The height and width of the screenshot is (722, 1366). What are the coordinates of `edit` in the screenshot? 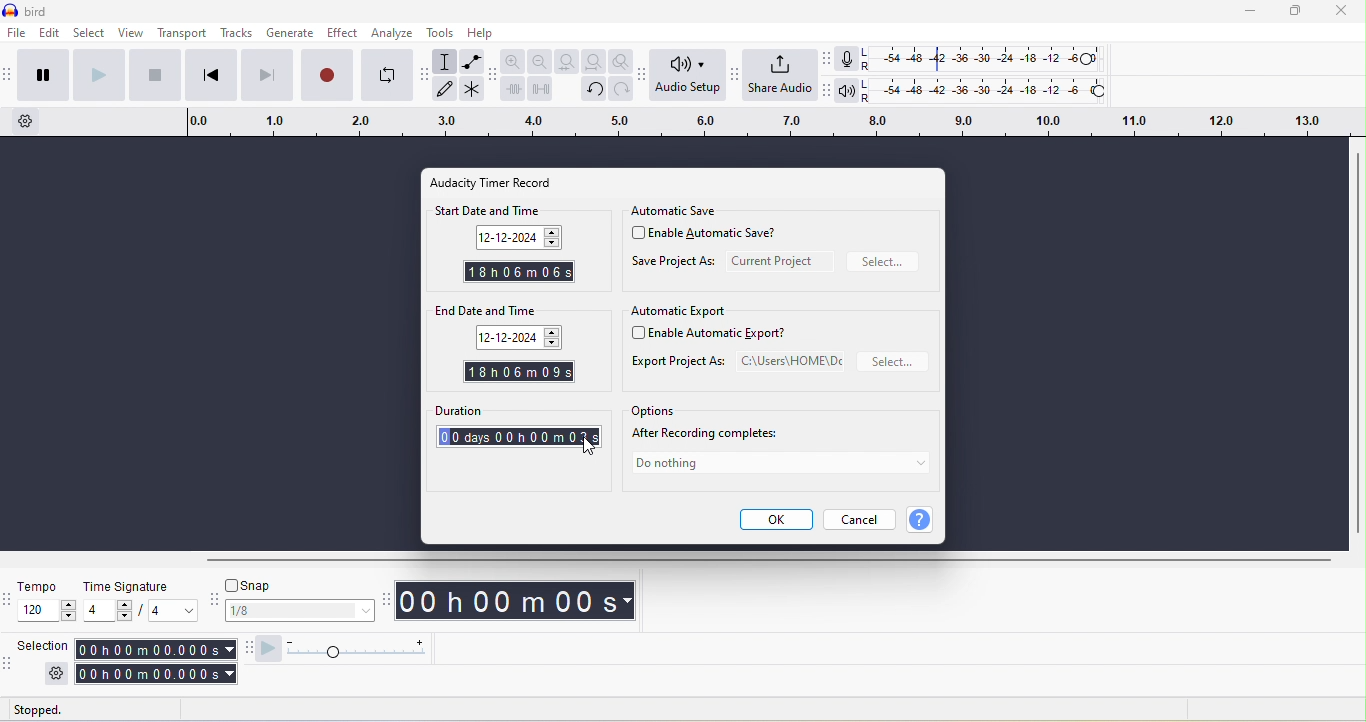 It's located at (48, 35).